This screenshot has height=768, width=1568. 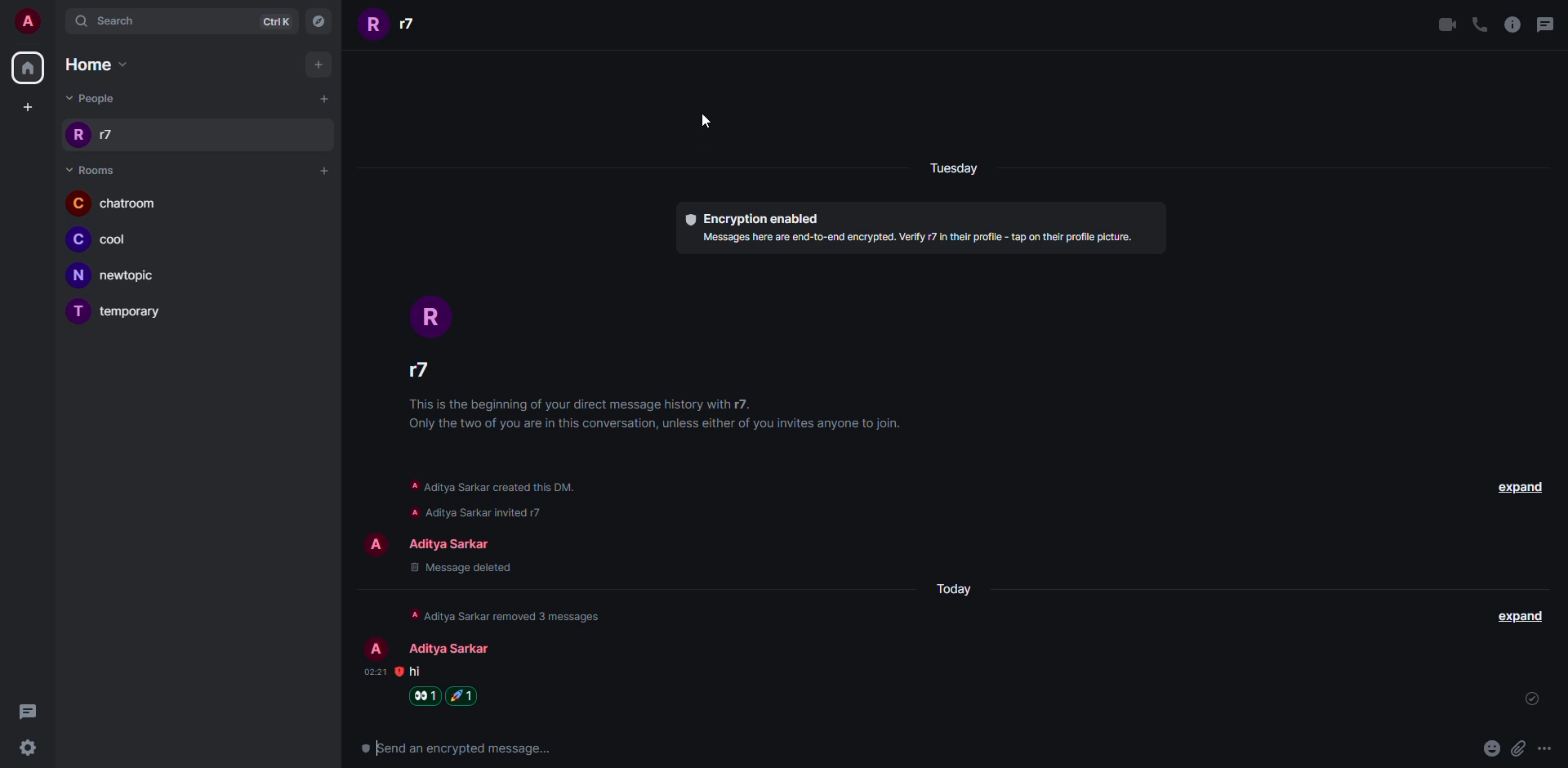 I want to click on voice call, so click(x=1479, y=24).